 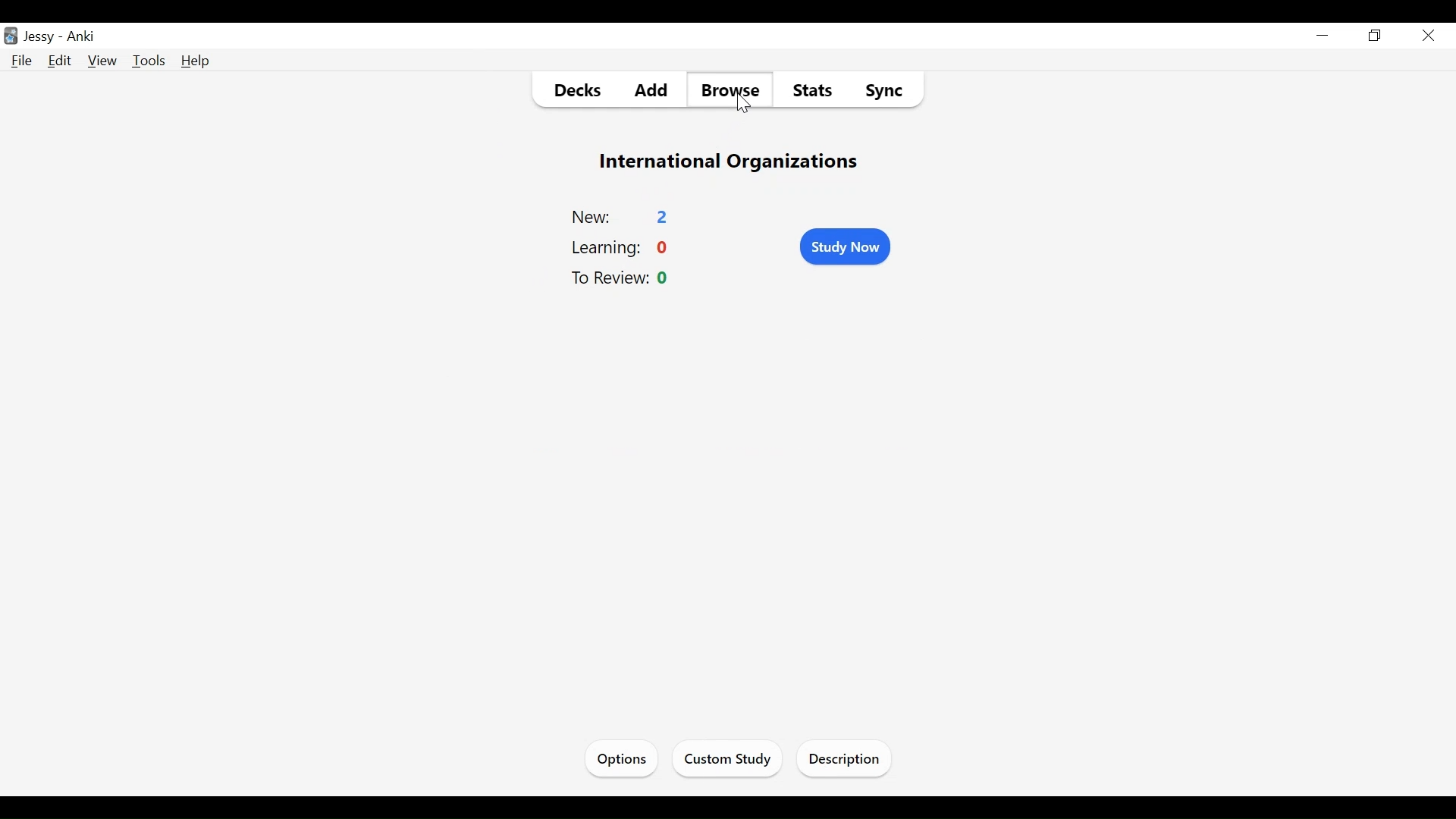 What do you see at coordinates (11, 35) in the screenshot?
I see `Anki Desktop Icon` at bounding box center [11, 35].